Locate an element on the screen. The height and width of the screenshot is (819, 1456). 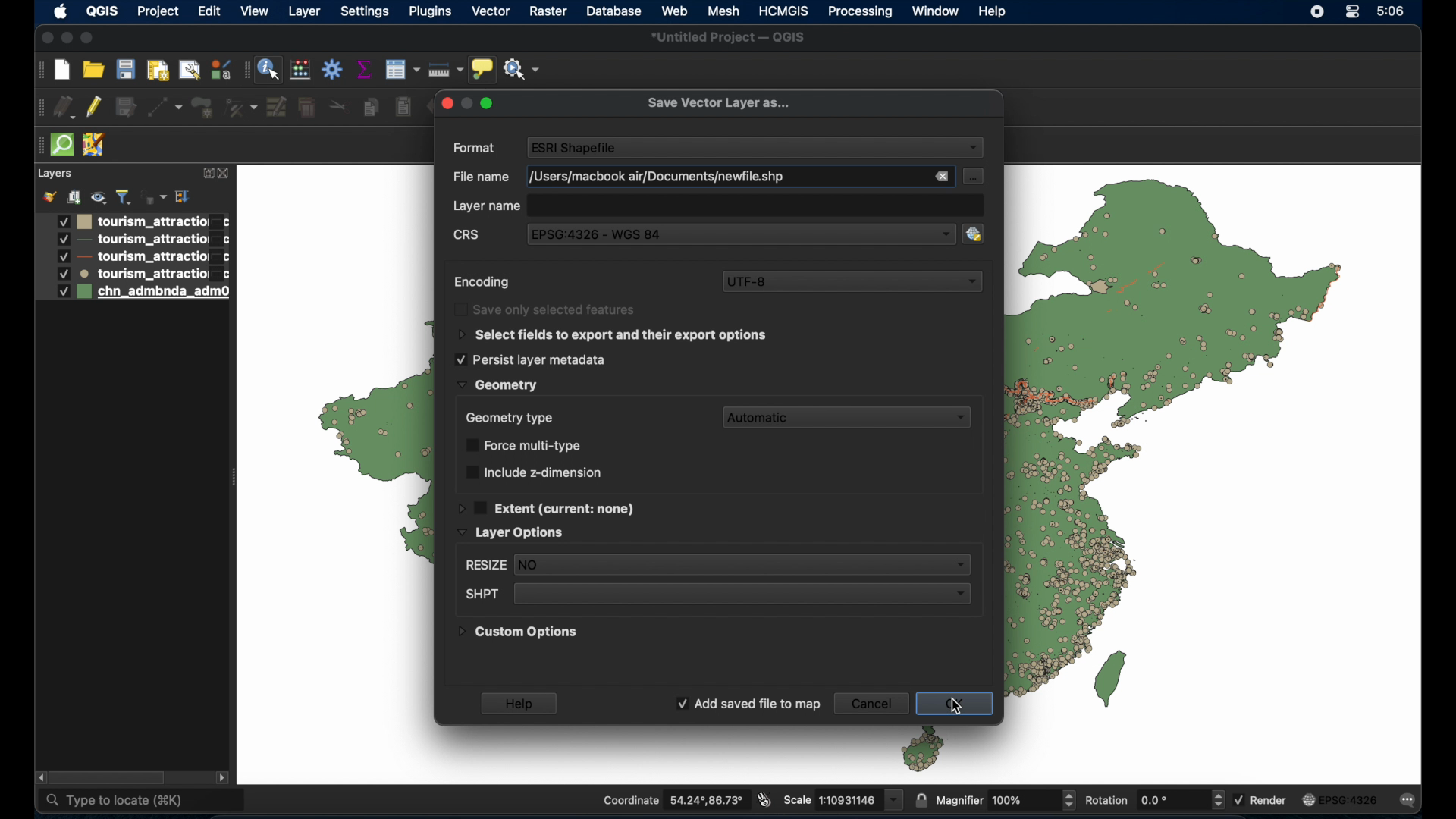
minimize is located at coordinates (67, 39).